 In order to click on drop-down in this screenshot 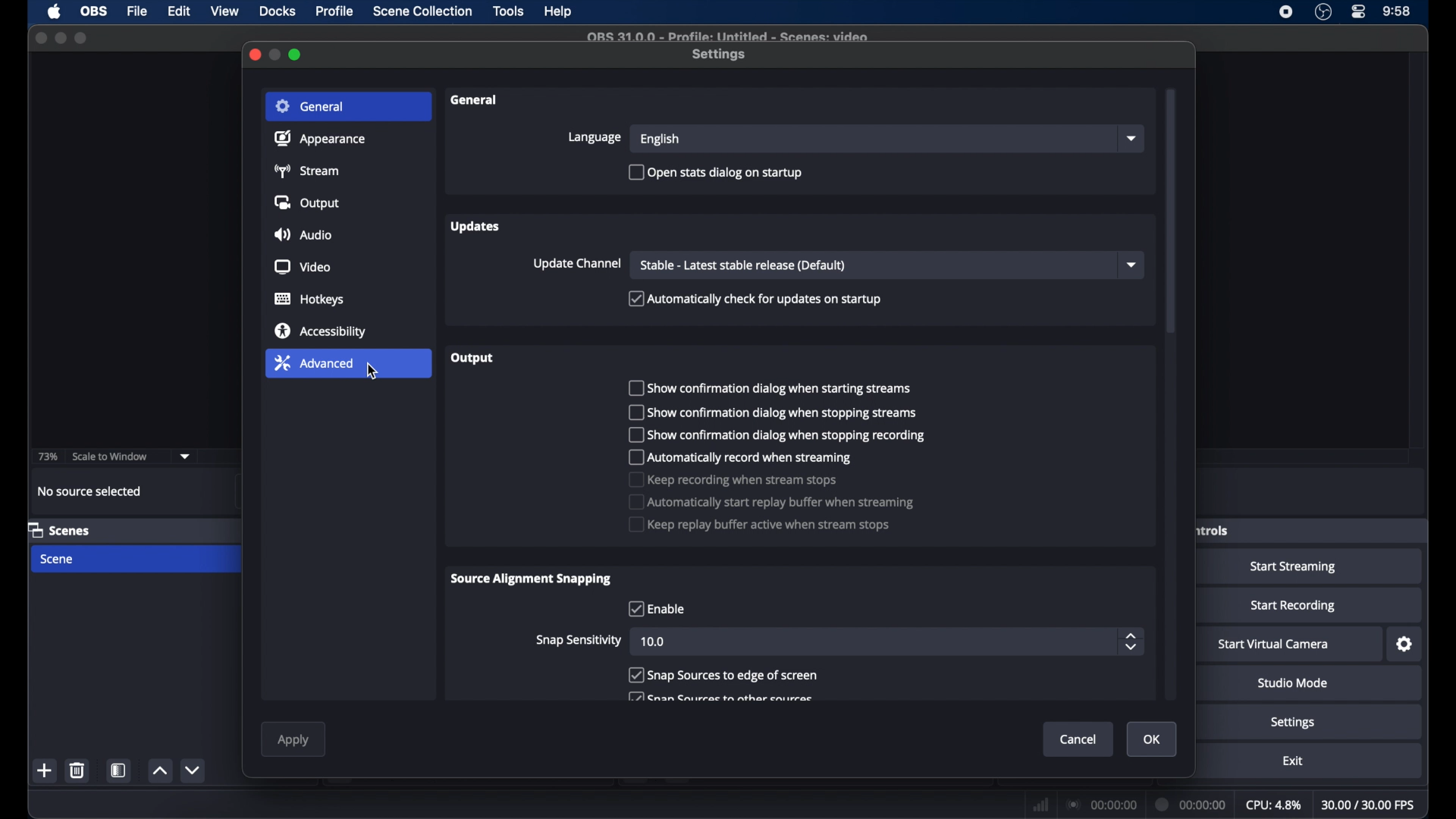, I will do `click(1131, 139)`.